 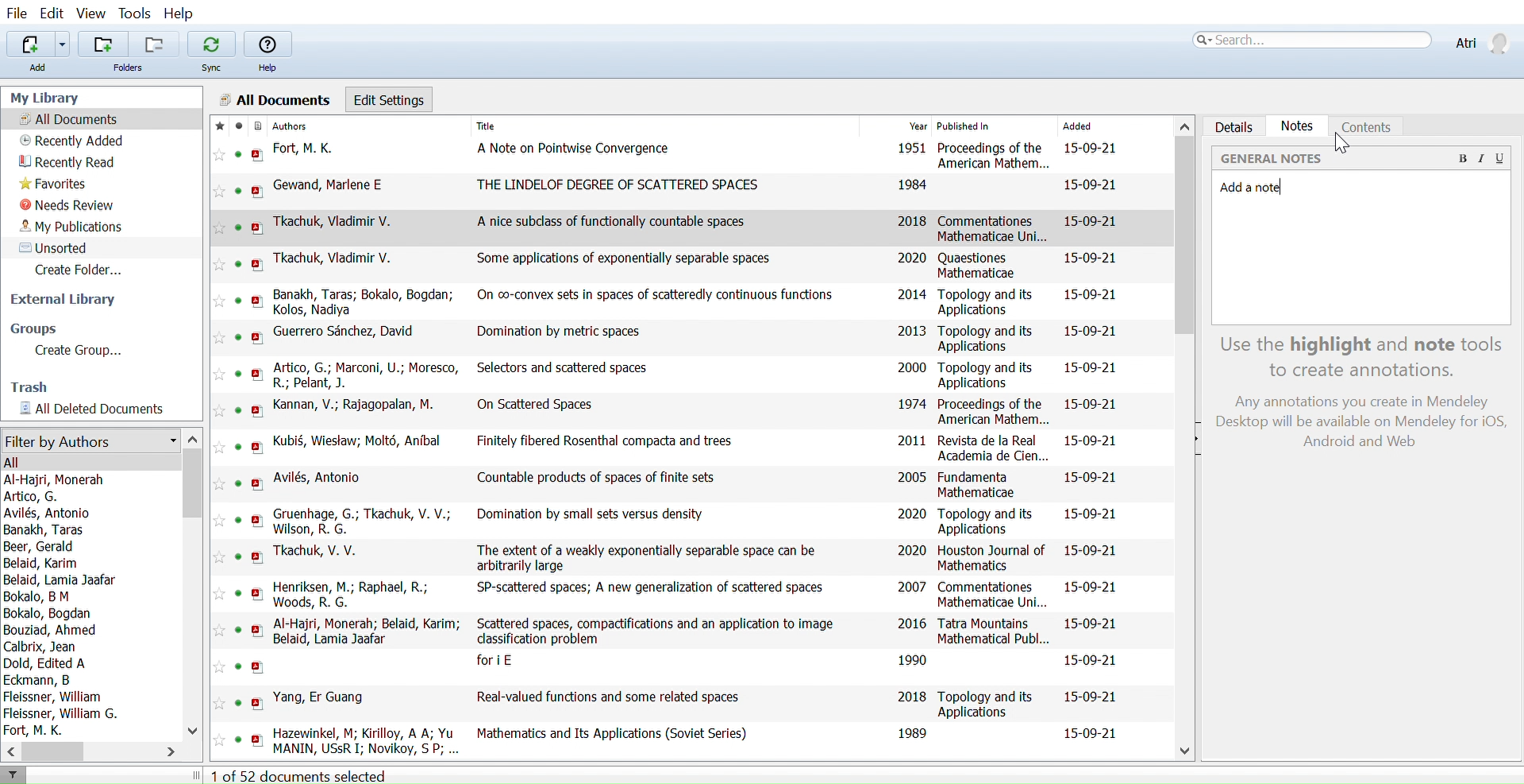 I want to click on 2020, so click(x=910, y=551).